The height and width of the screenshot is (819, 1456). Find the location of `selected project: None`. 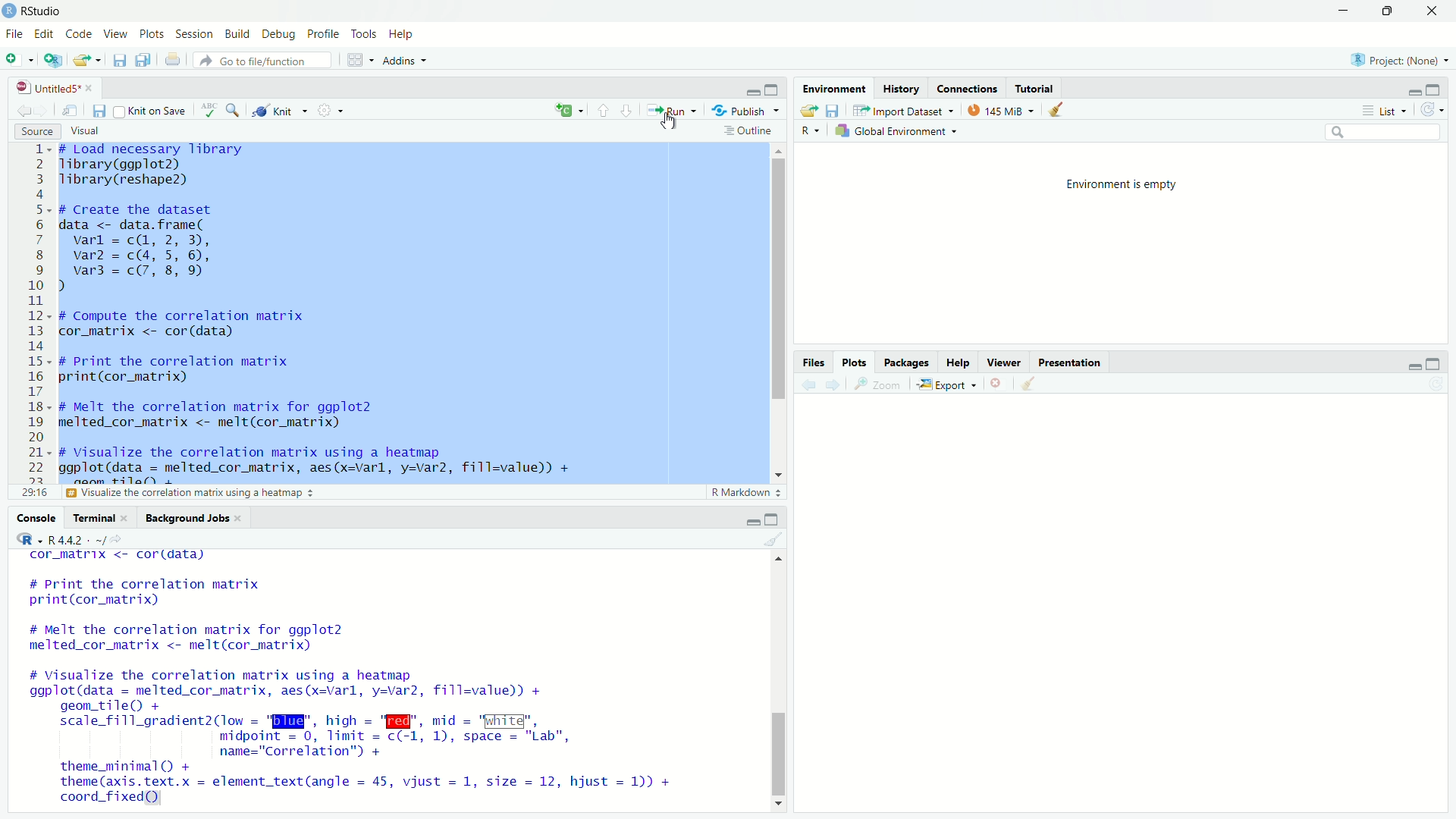

selected project: None is located at coordinates (1401, 58).